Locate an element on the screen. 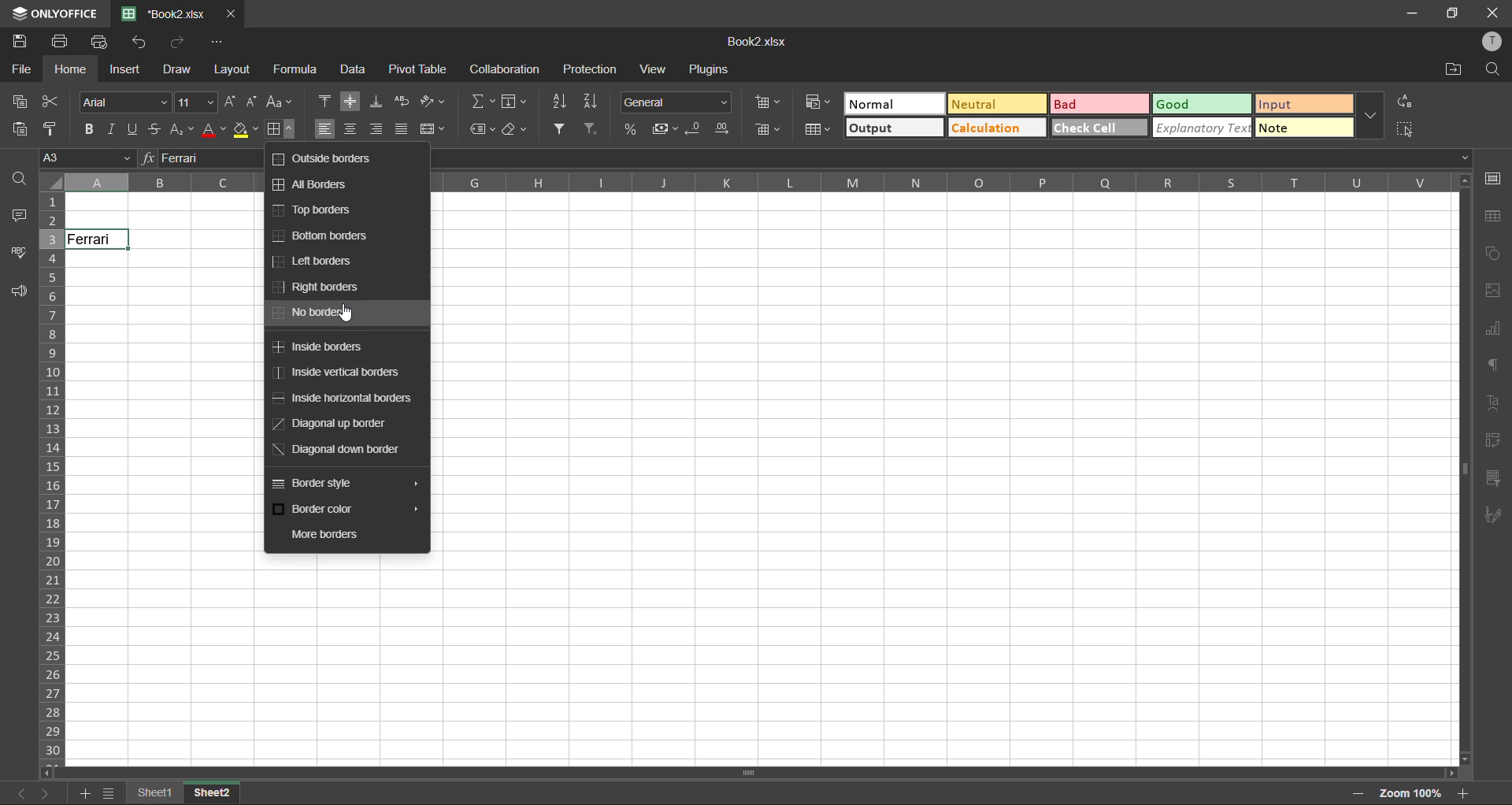 The height and width of the screenshot is (805, 1512). font size is located at coordinates (198, 102).